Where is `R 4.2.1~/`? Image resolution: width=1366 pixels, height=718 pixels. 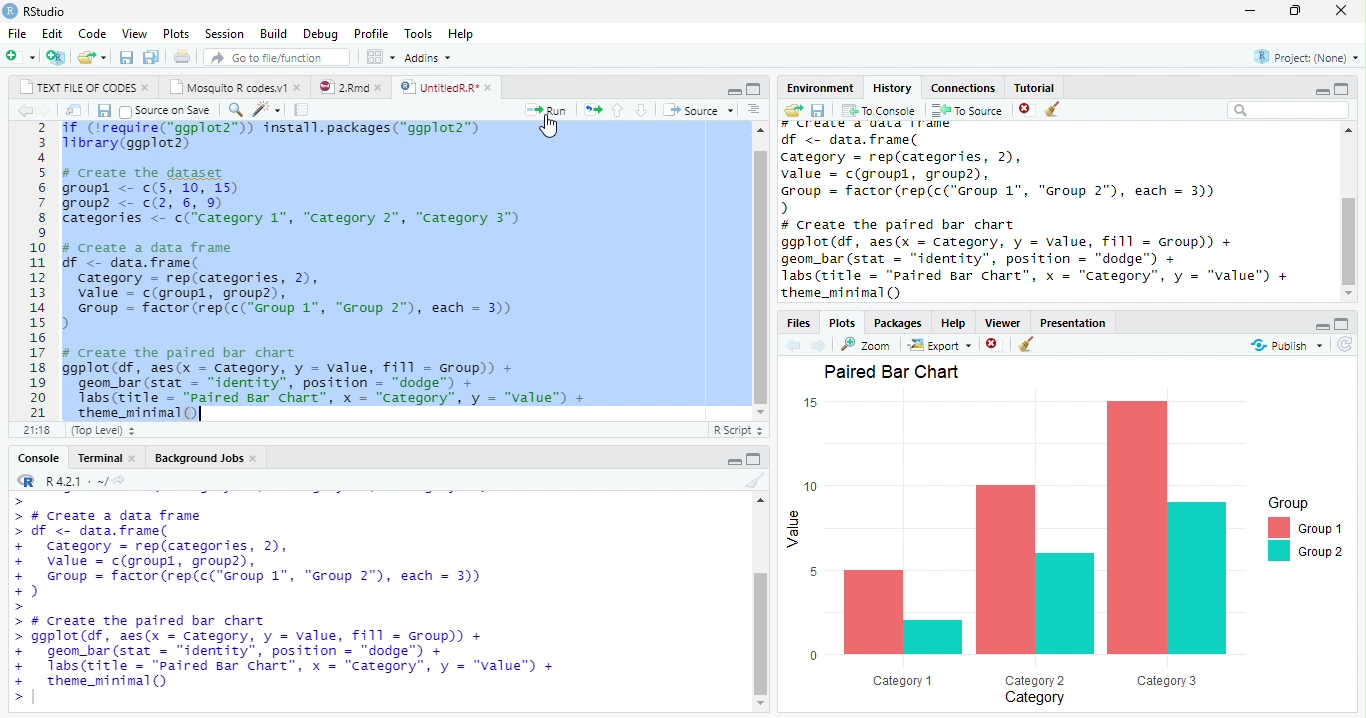 R 4.2.1~/ is located at coordinates (75, 481).